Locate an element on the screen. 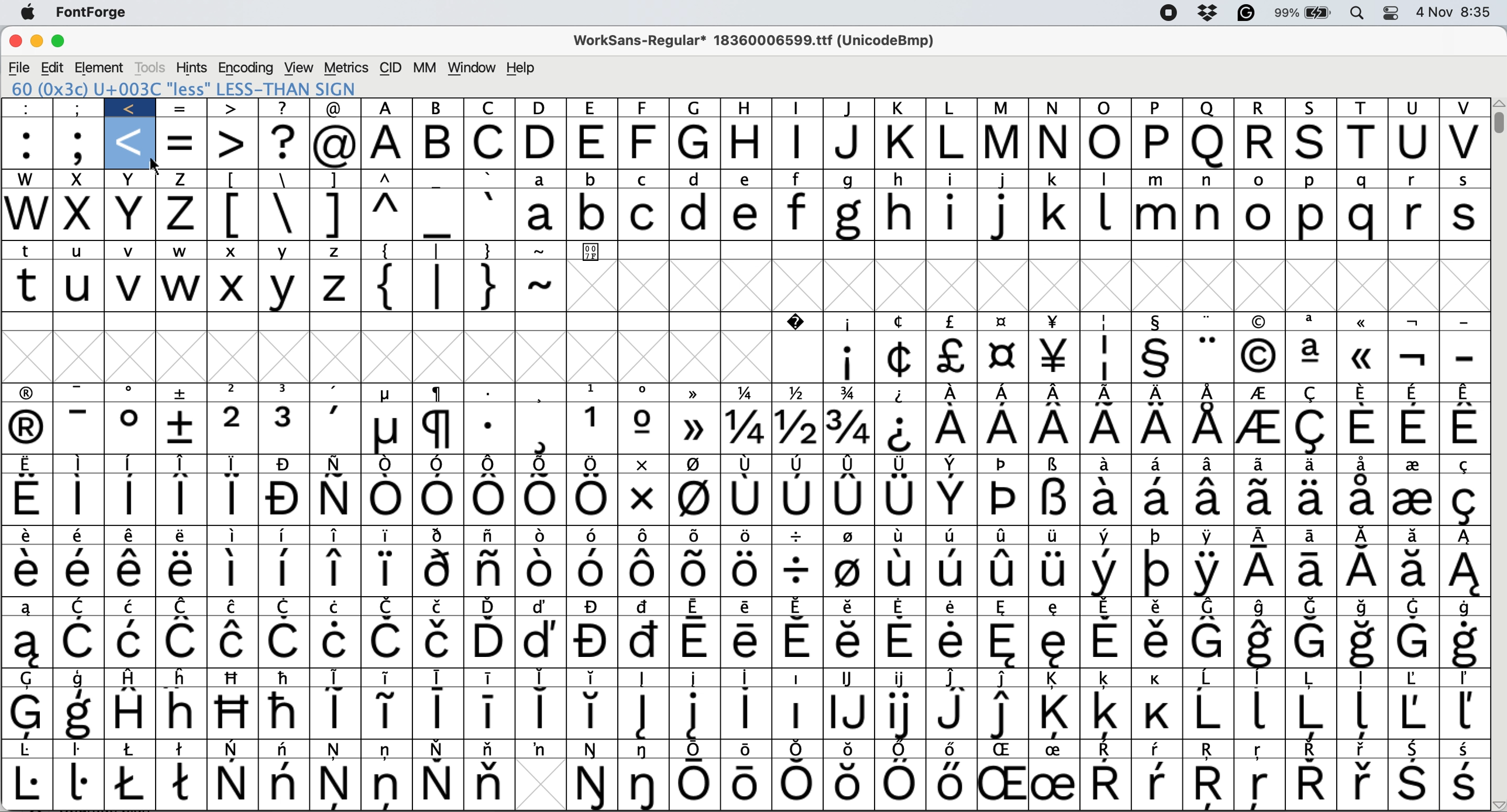 The height and width of the screenshot is (812, 1507). Symbol is located at coordinates (952, 498).